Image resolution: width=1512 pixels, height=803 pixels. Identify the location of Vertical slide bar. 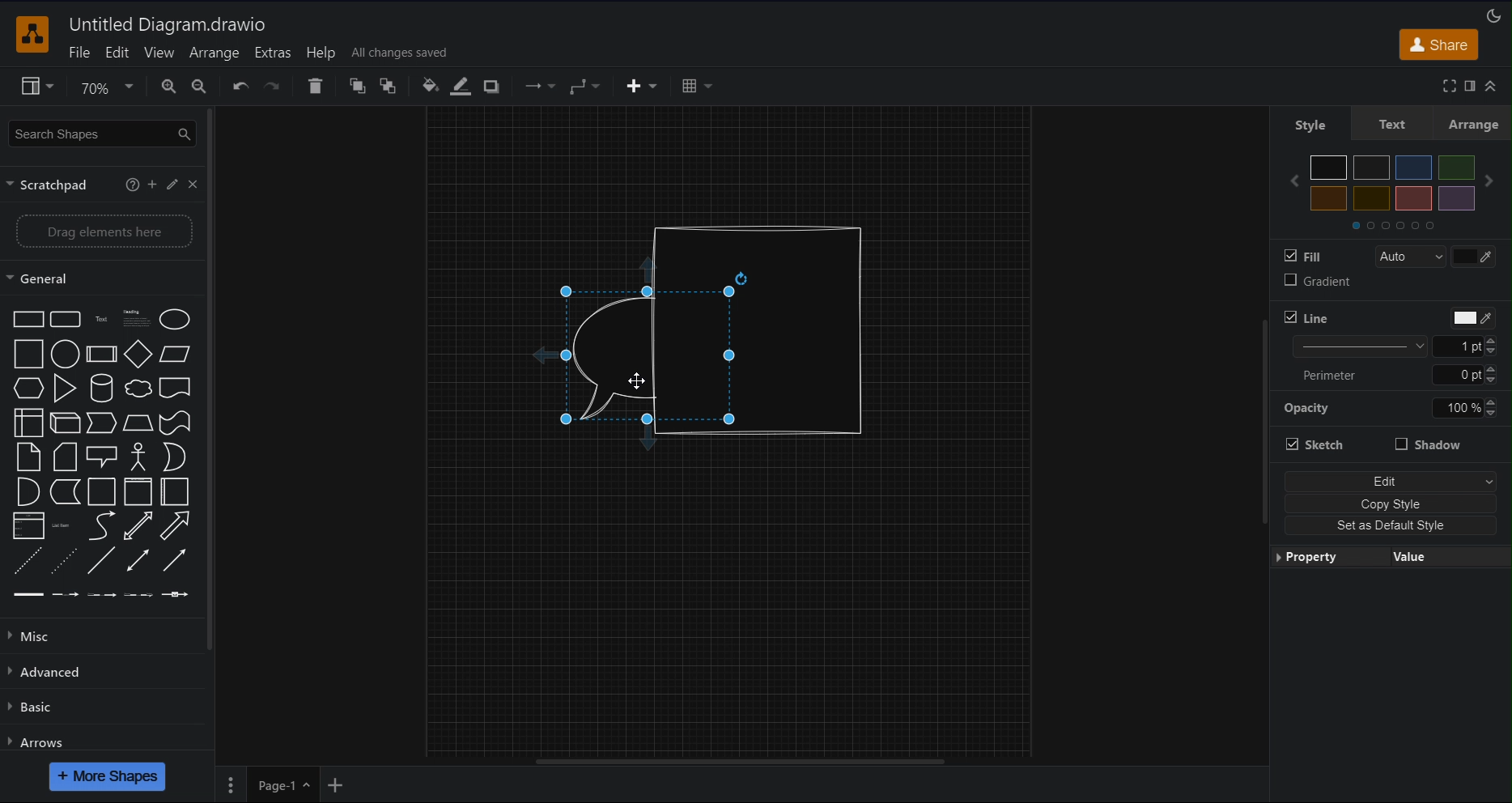
(1264, 423).